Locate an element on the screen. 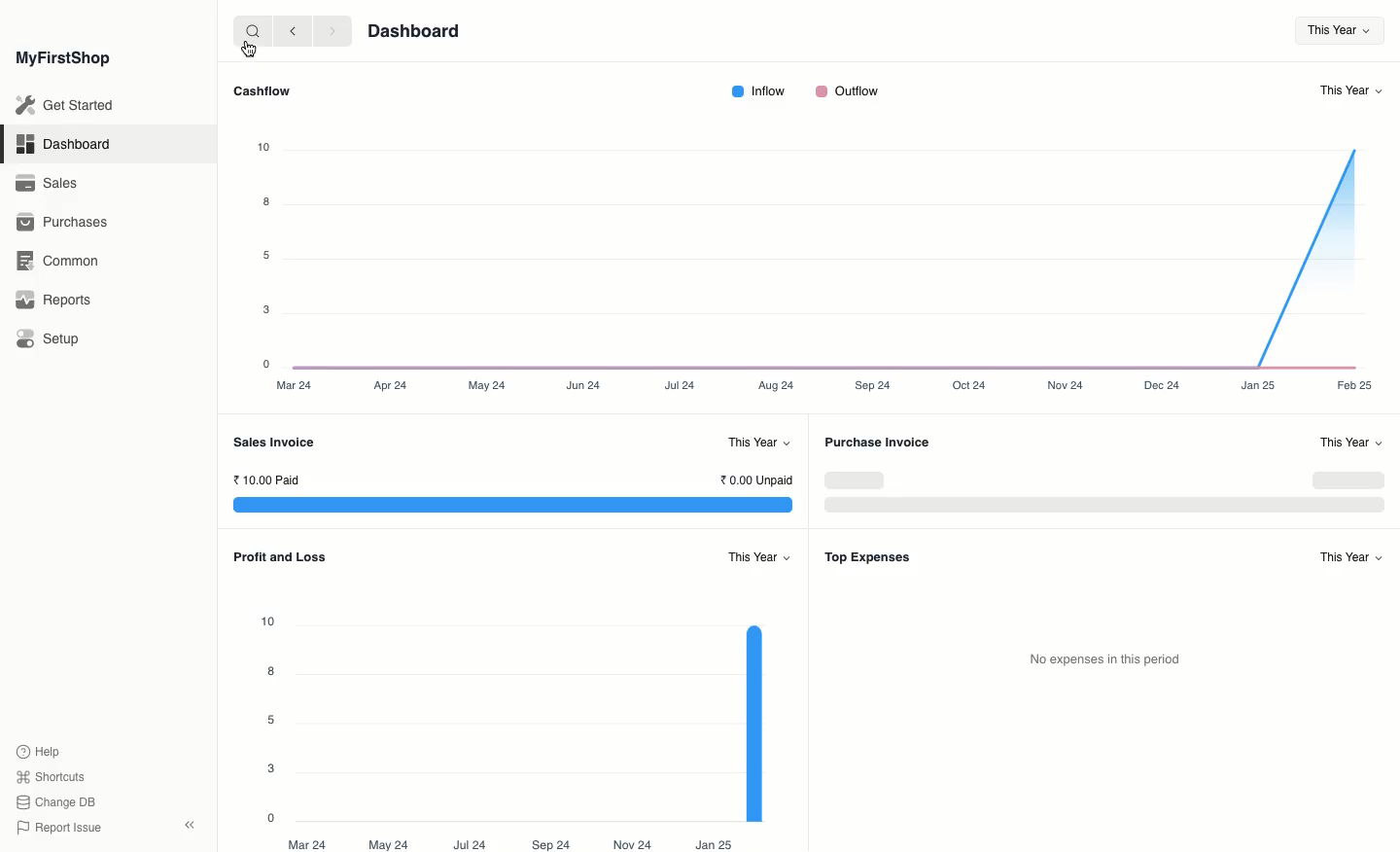 This screenshot has width=1400, height=852. Purchase Invoice is located at coordinates (876, 442).